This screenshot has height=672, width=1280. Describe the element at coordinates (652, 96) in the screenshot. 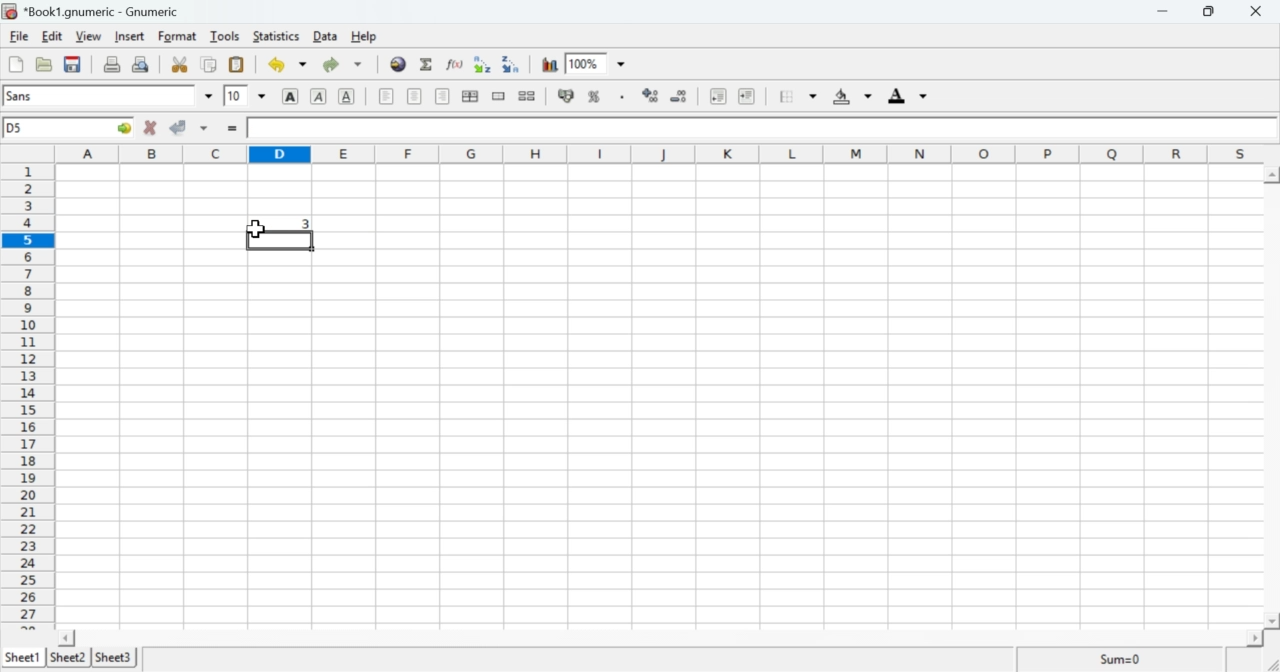

I see `Increase number of decimals` at that location.